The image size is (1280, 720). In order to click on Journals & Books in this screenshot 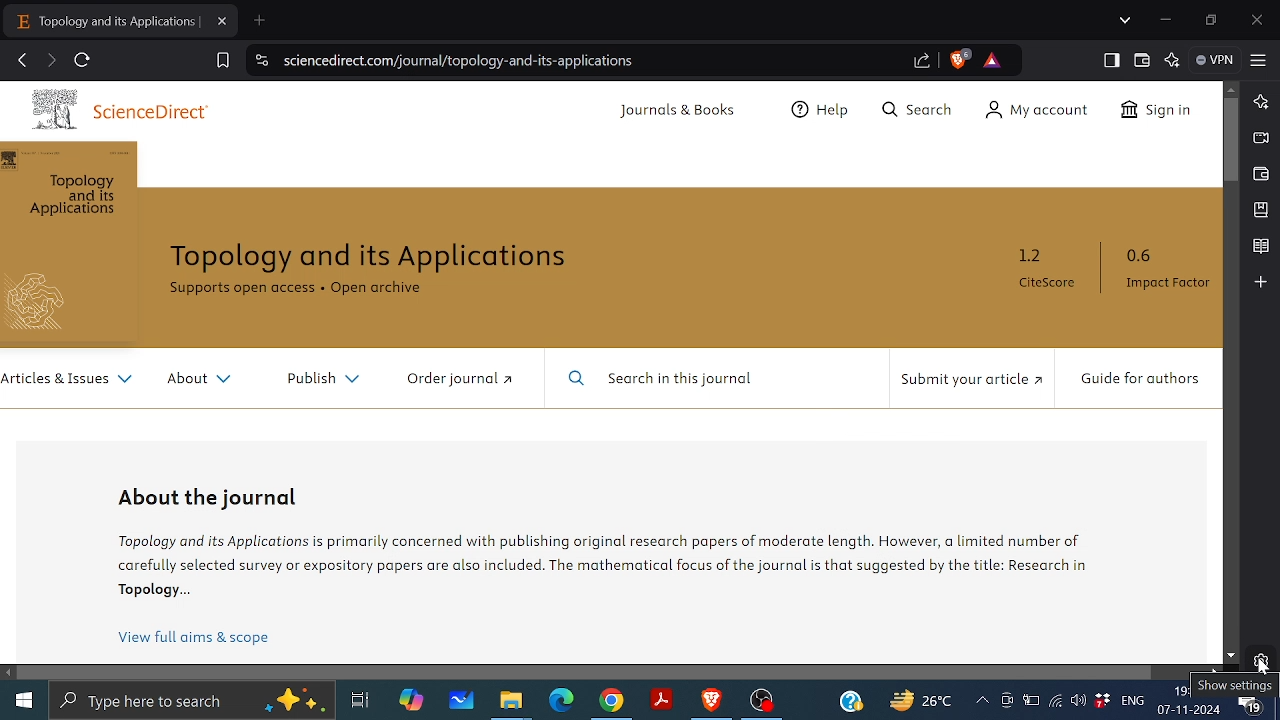, I will do `click(676, 111)`.